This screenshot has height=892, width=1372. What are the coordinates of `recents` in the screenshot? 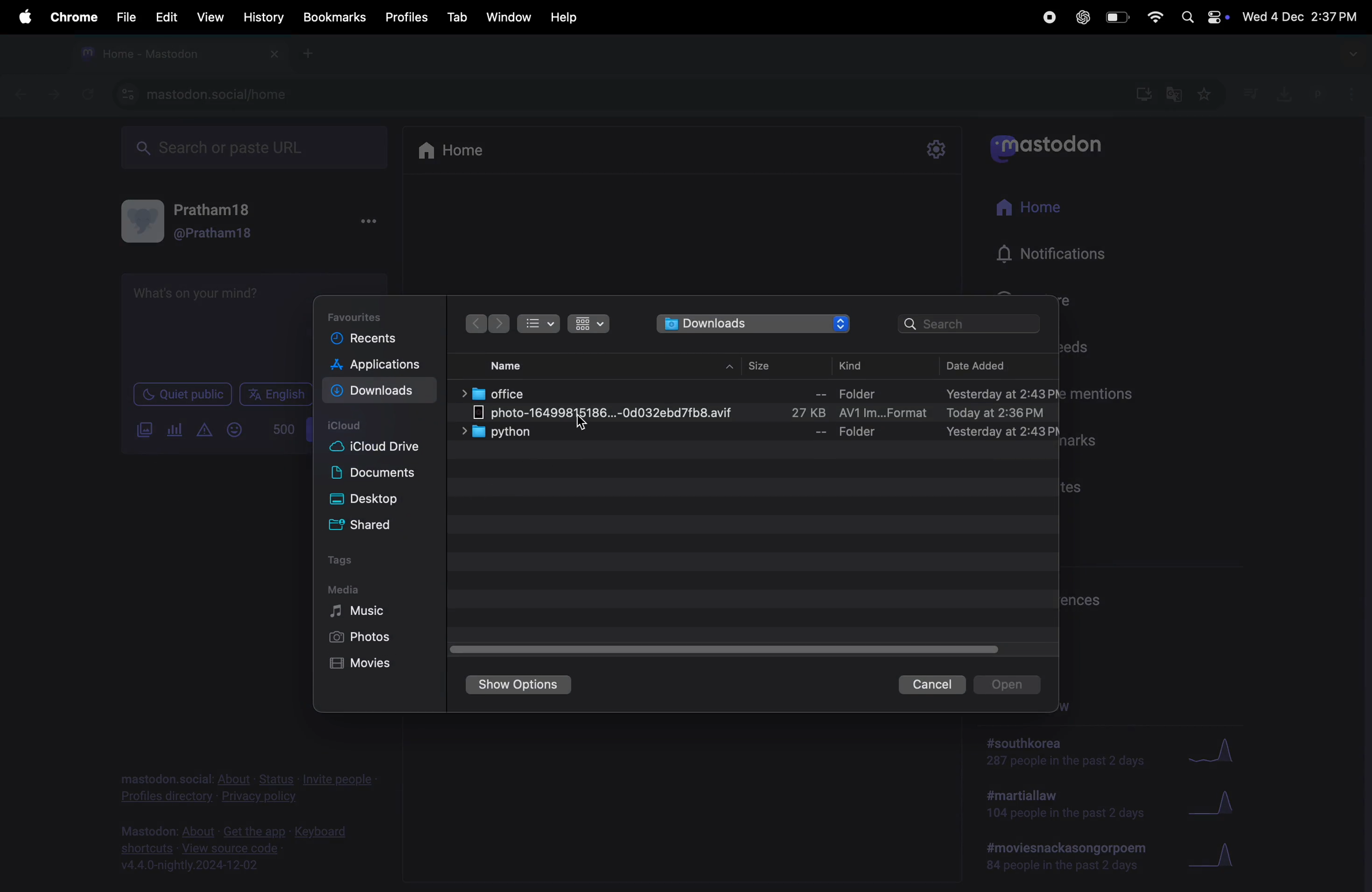 It's located at (367, 339).